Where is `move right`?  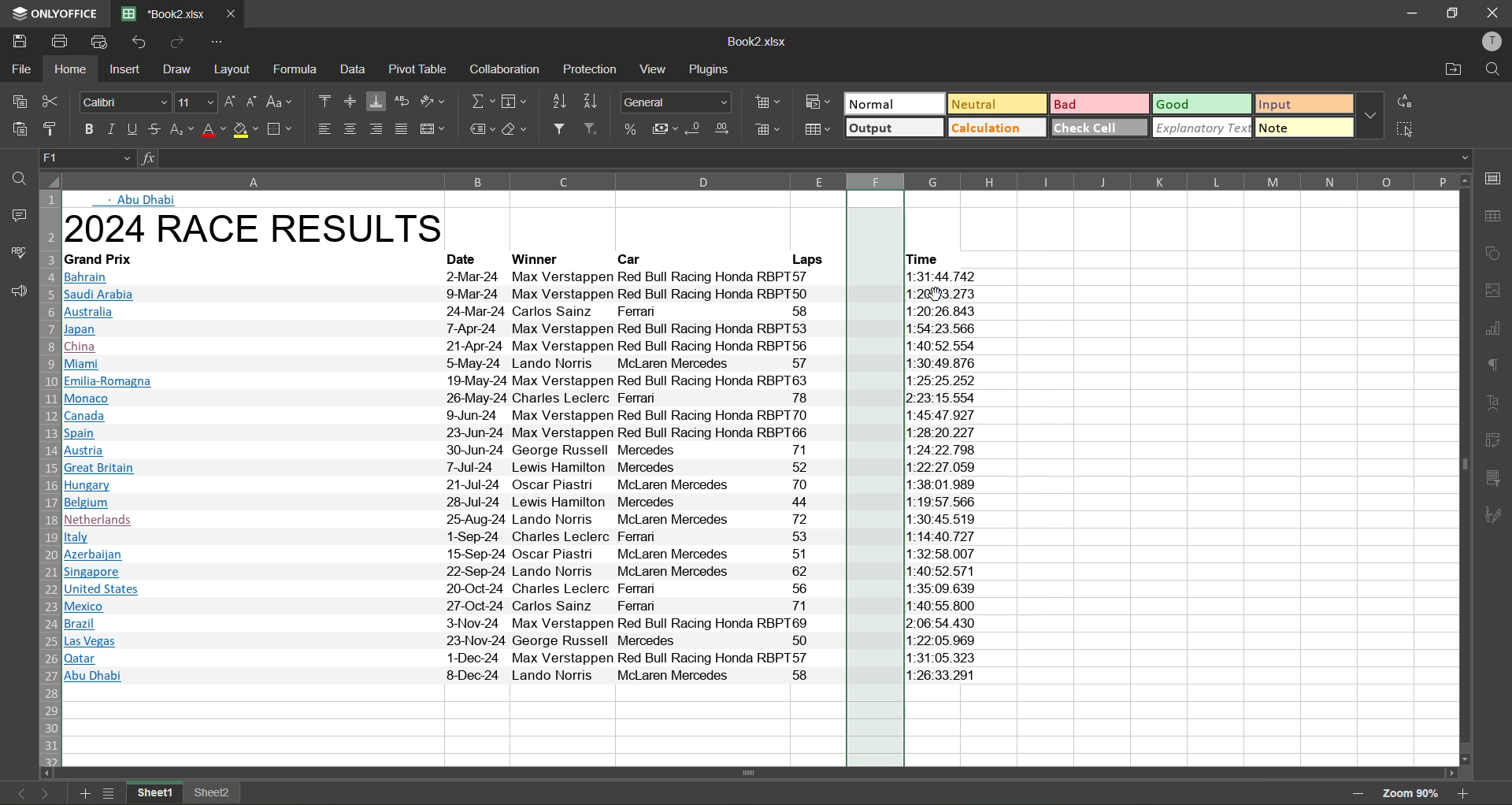 move right is located at coordinates (1454, 774).